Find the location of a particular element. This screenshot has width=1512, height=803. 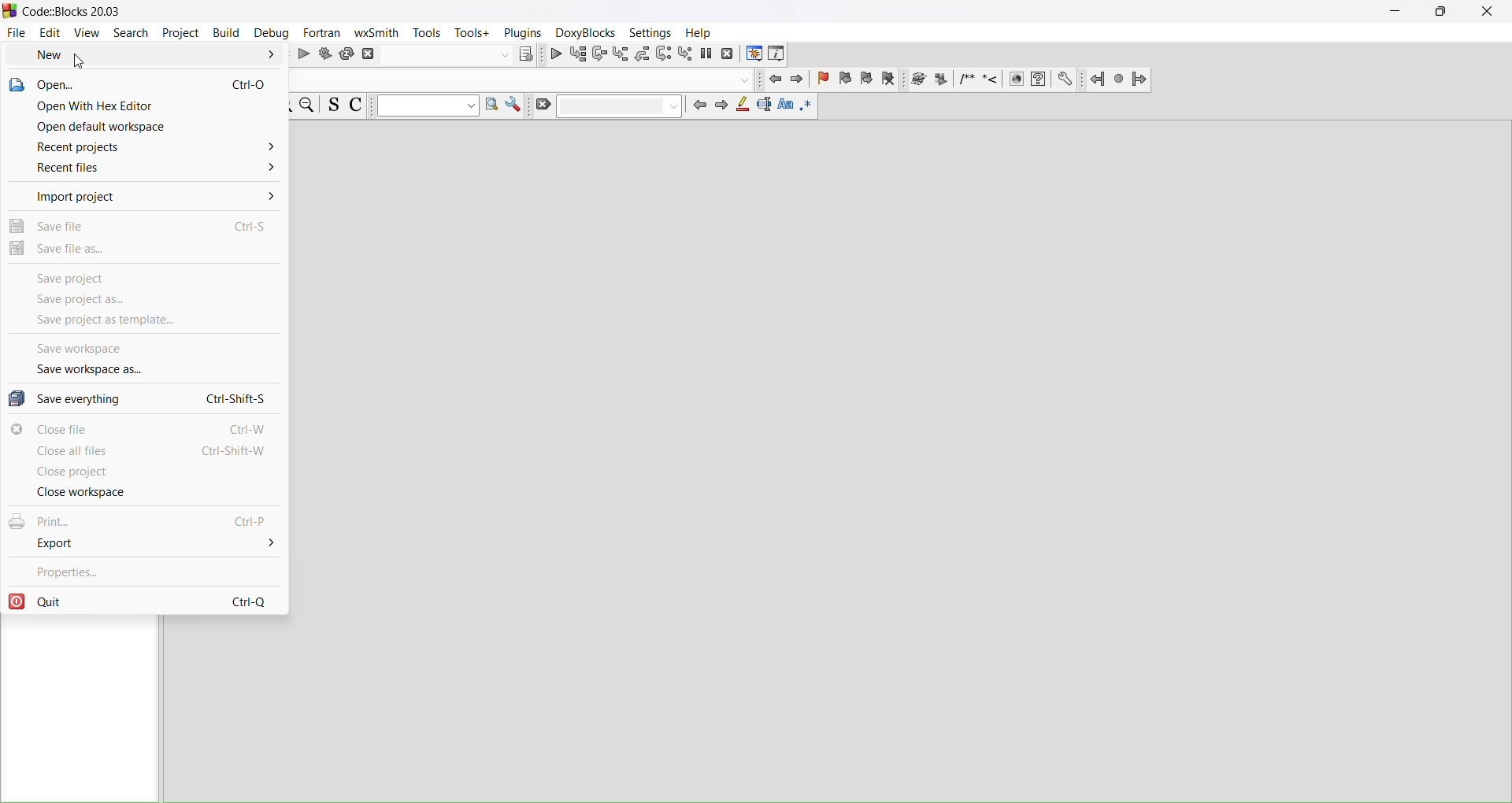

tools is located at coordinates (426, 33).